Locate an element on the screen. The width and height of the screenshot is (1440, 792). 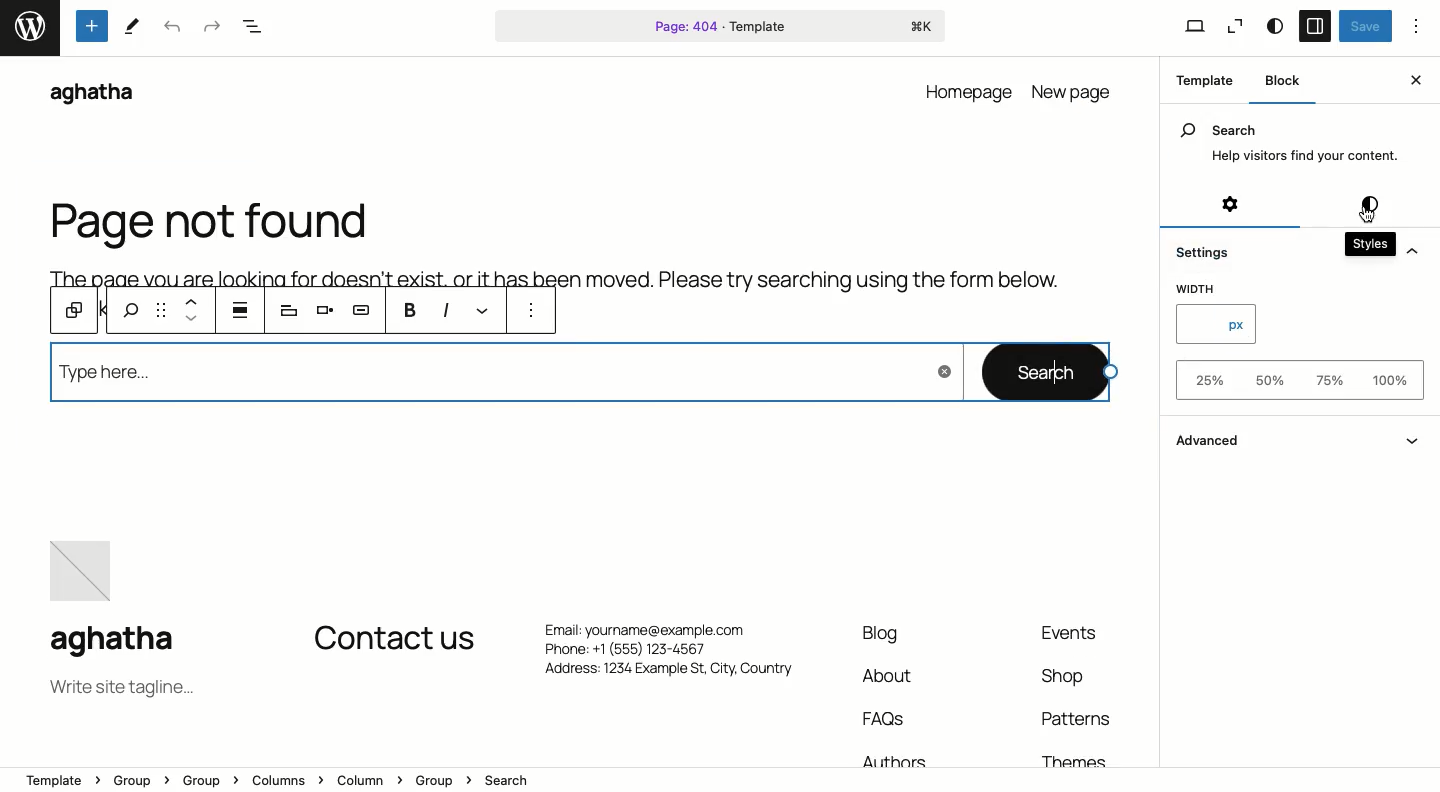
 is located at coordinates (550, 279).